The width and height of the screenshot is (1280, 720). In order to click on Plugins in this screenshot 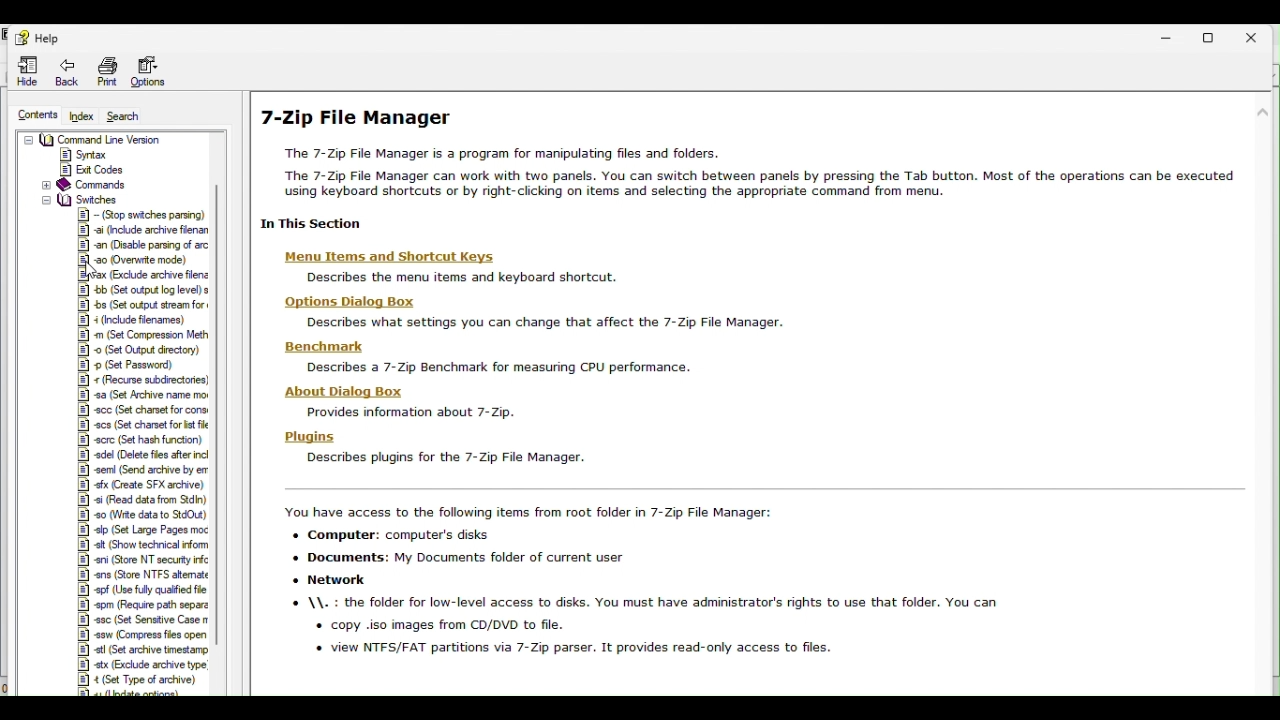, I will do `click(319, 437)`.